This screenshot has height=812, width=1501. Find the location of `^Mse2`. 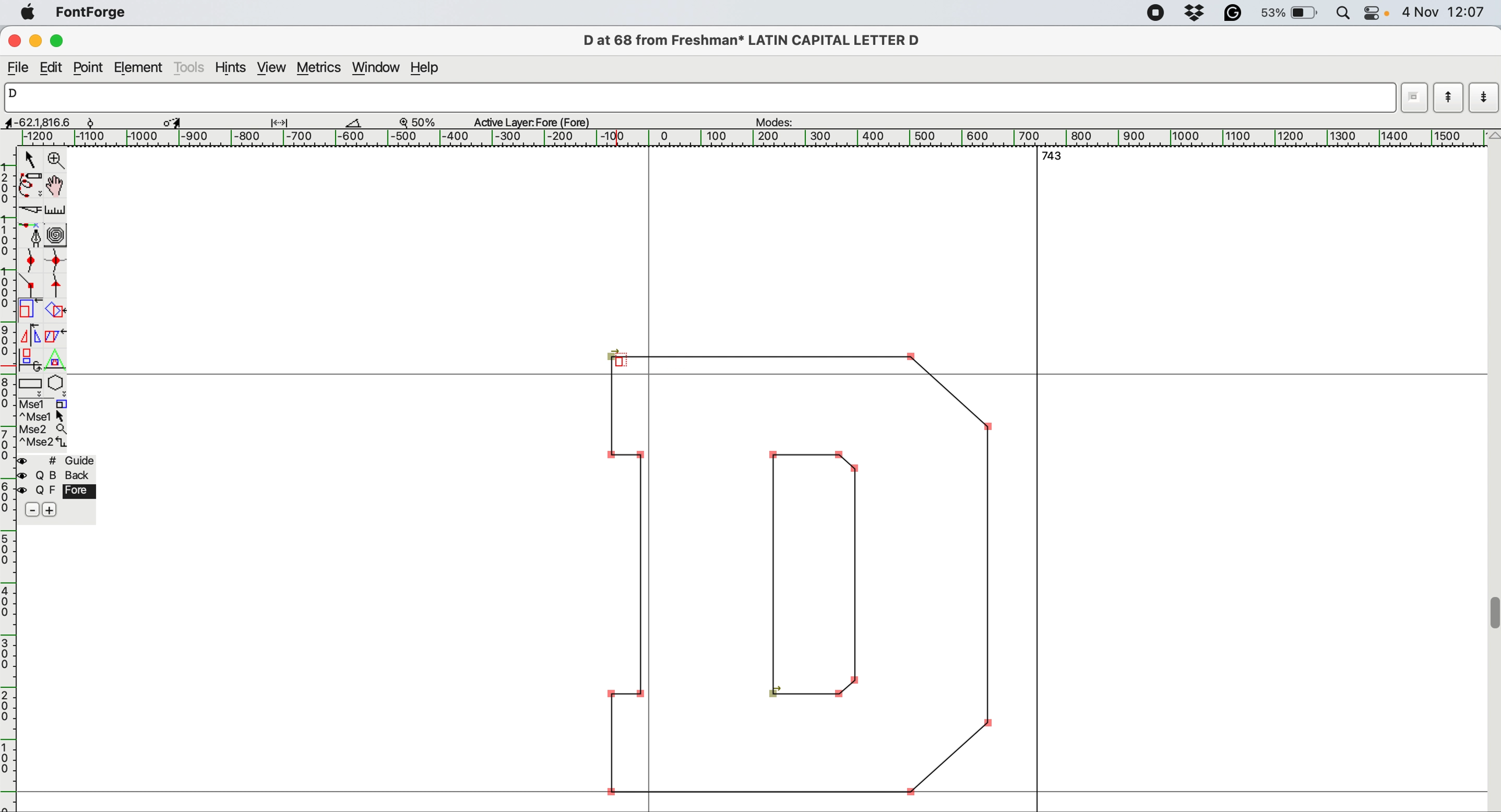

^Mse2 is located at coordinates (44, 443).